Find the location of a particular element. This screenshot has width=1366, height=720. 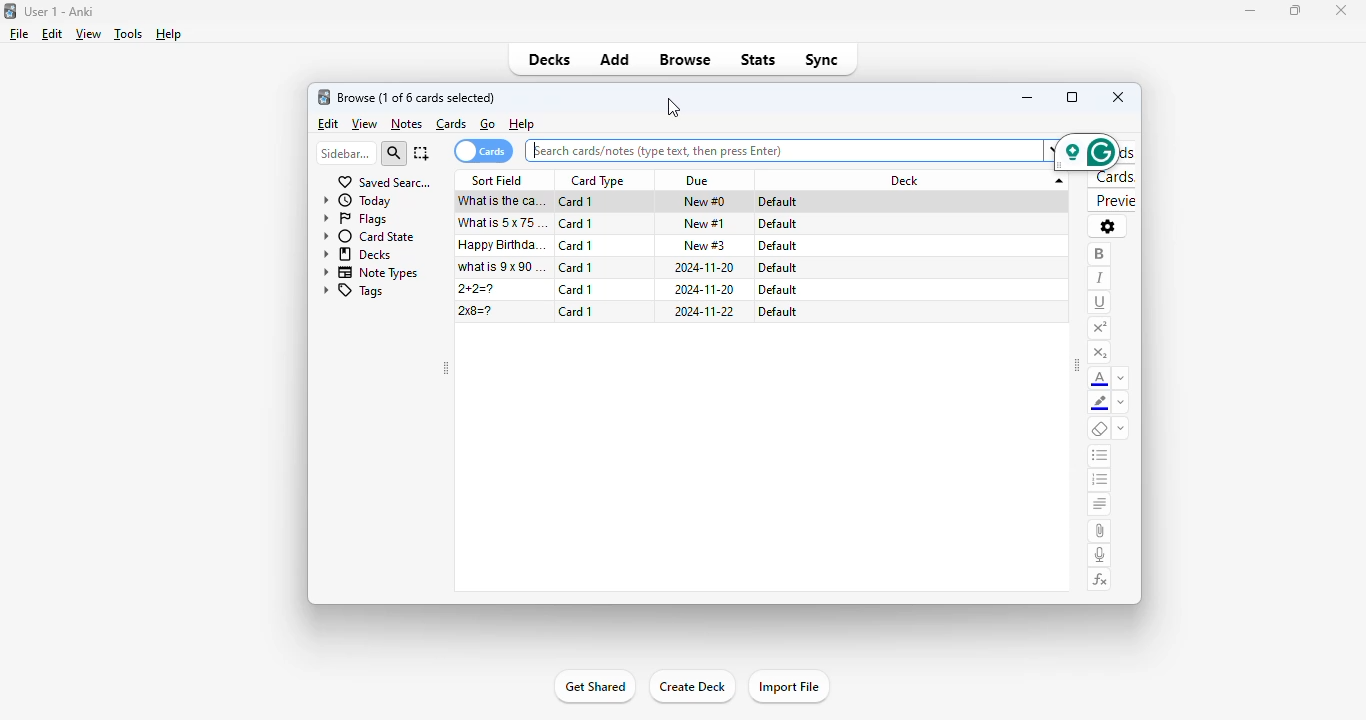

edit is located at coordinates (52, 34).